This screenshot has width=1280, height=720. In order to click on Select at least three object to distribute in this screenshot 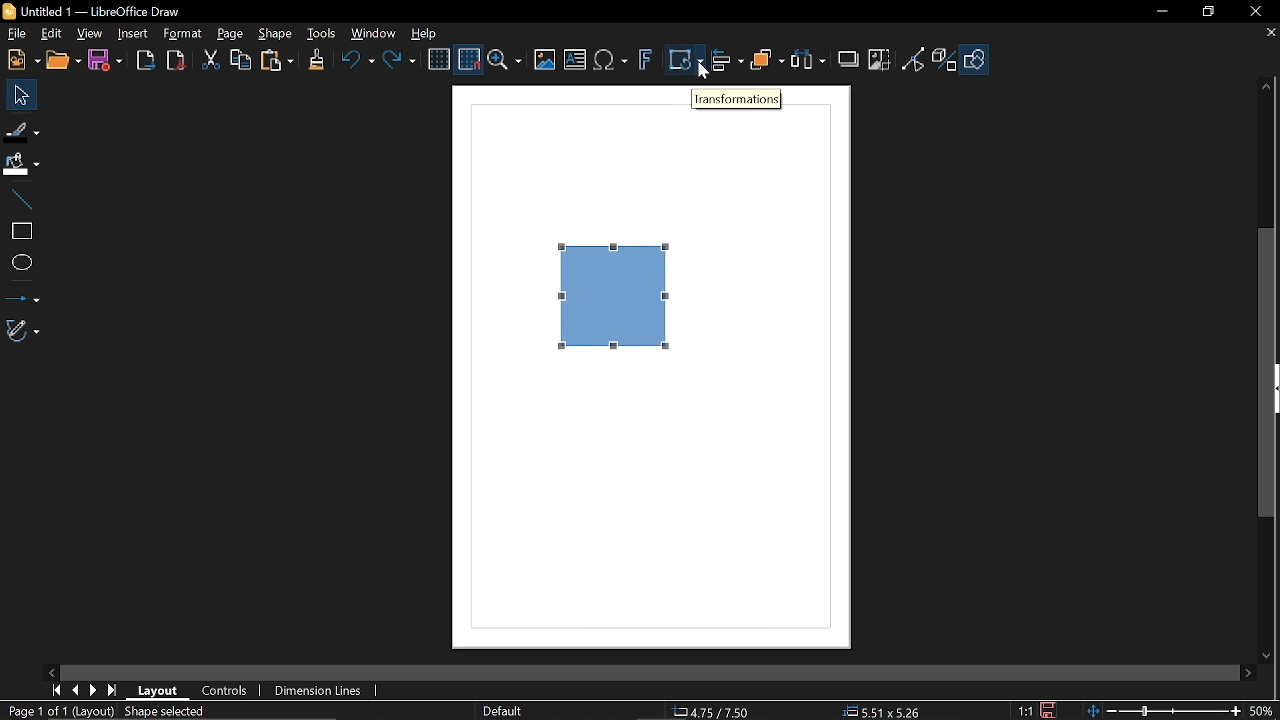, I will do `click(809, 62)`.